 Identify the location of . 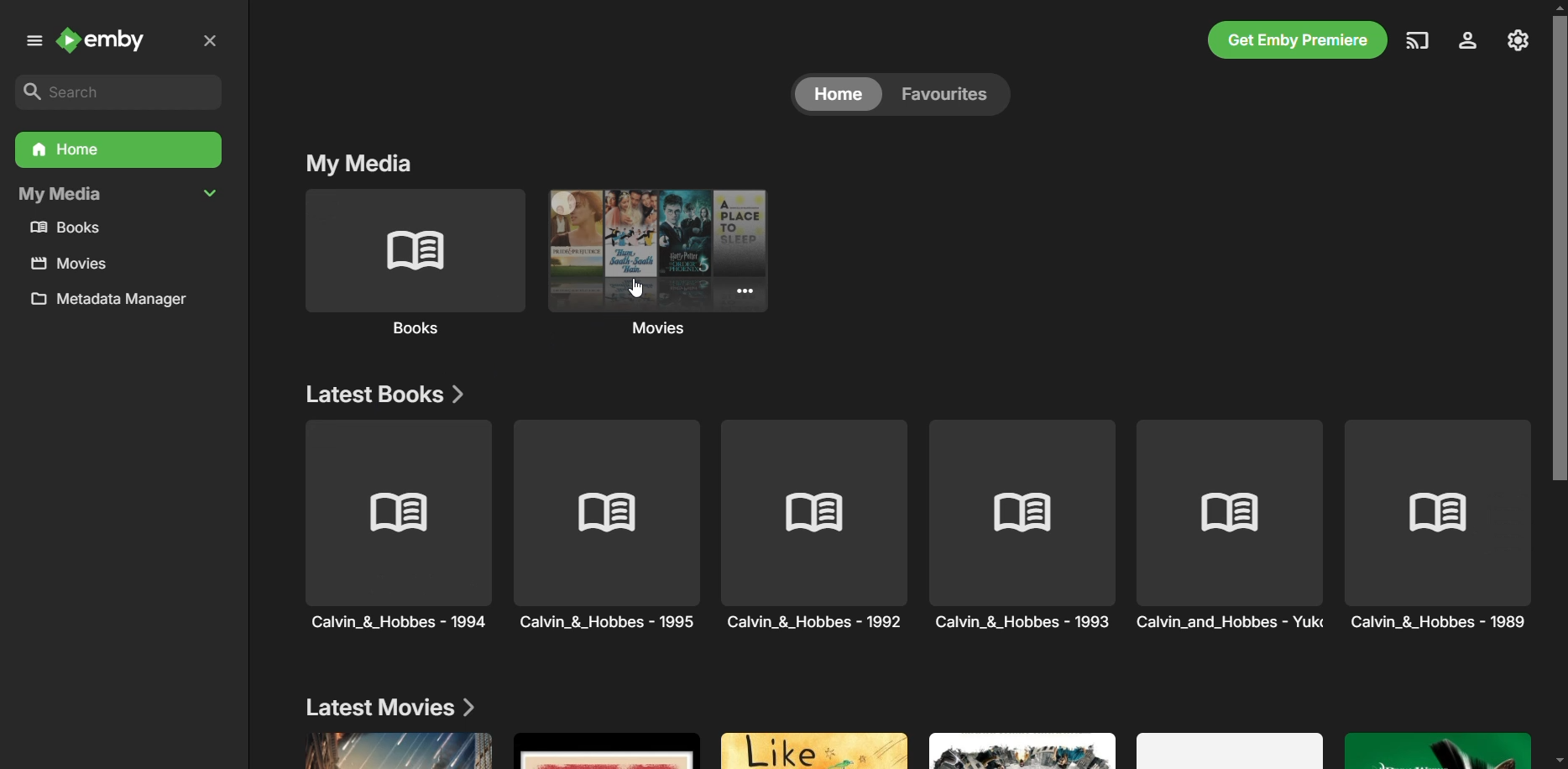
(1234, 526).